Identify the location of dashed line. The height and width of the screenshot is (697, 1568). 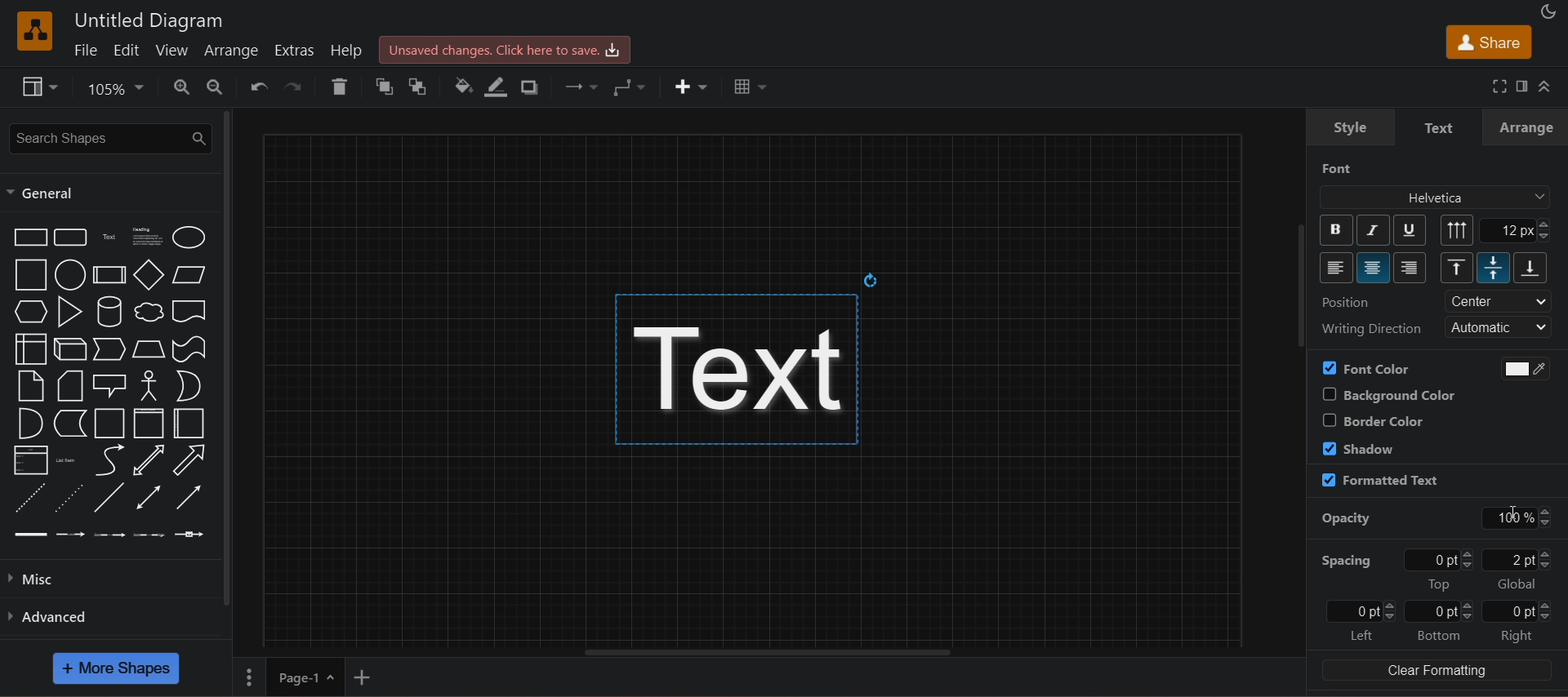
(31, 498).